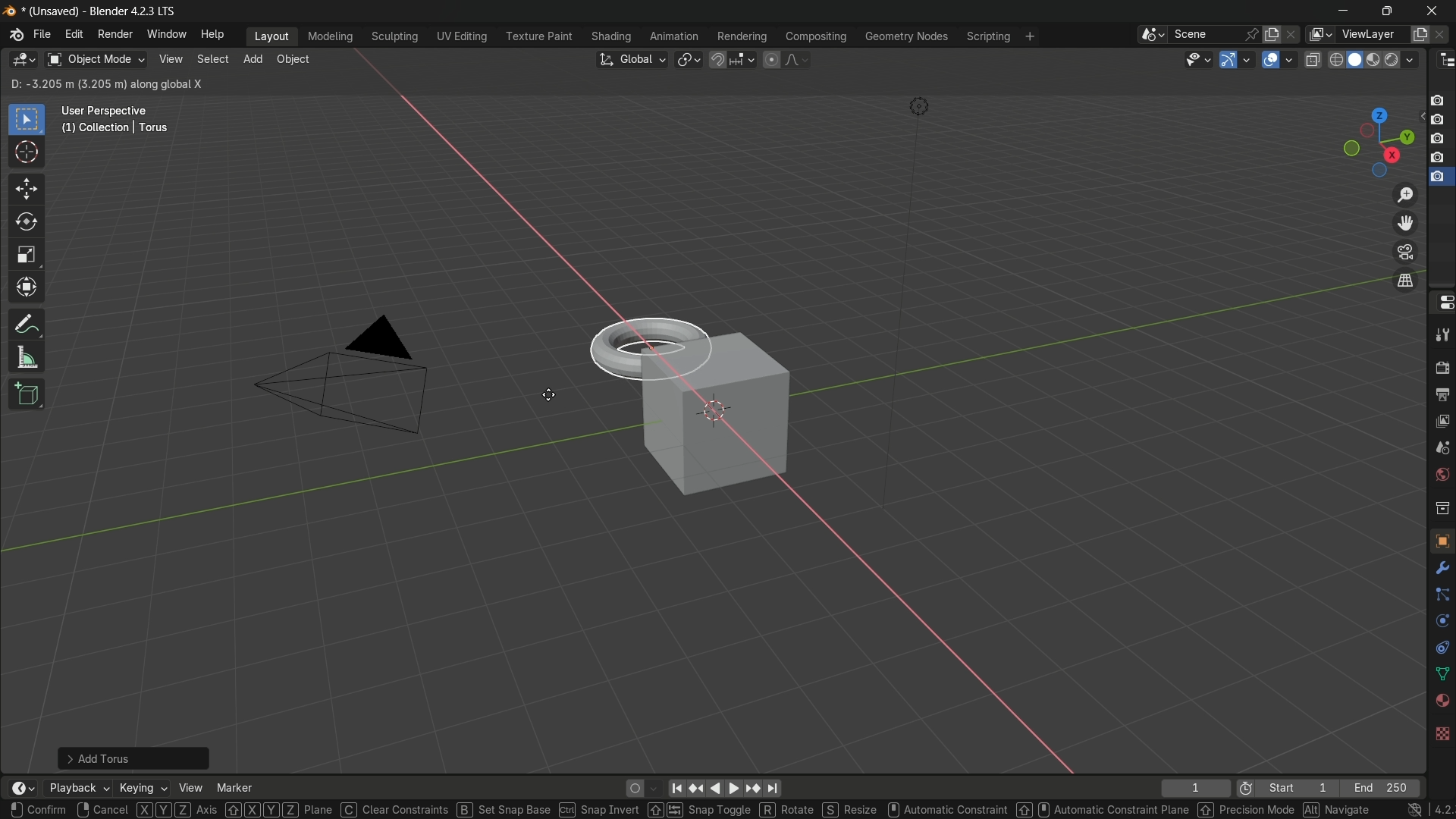  I want to click on file menu, so click(42, 34).